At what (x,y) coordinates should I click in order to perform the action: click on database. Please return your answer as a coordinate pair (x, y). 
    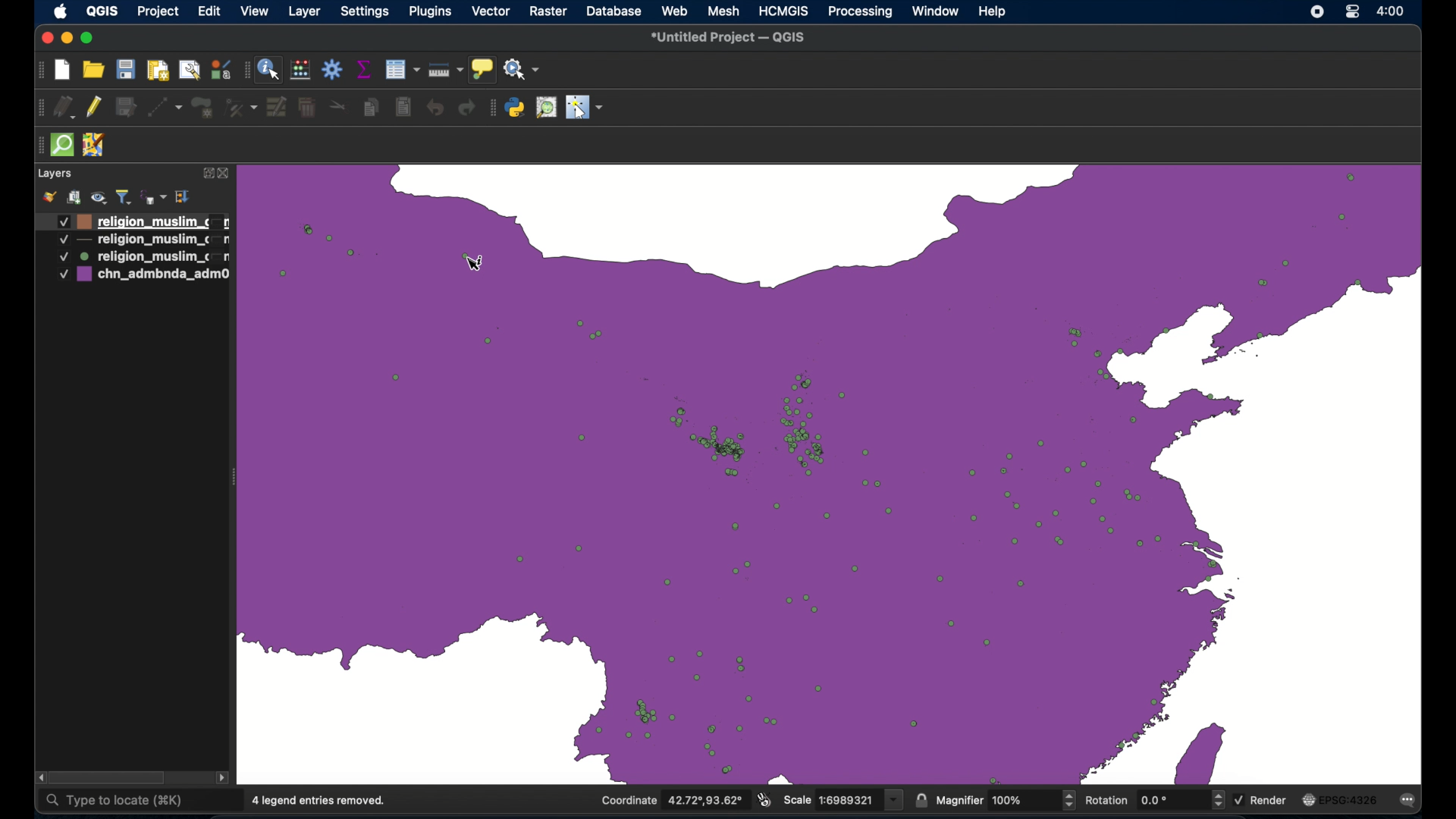
    Looking at the image, I should click on (614, 11).